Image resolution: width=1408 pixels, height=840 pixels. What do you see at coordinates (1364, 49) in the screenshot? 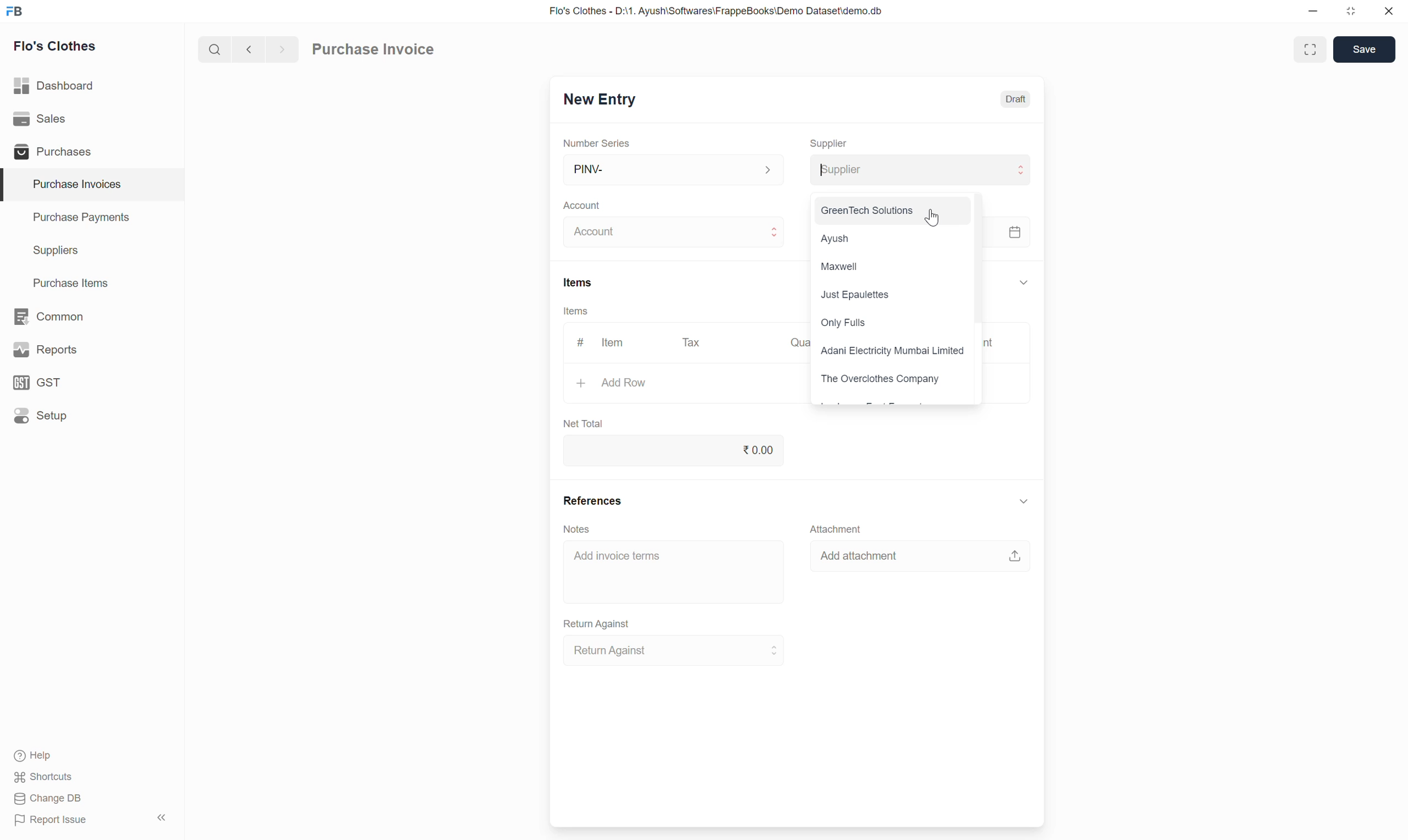
I see `Save` at bounding box center [1364, 49].